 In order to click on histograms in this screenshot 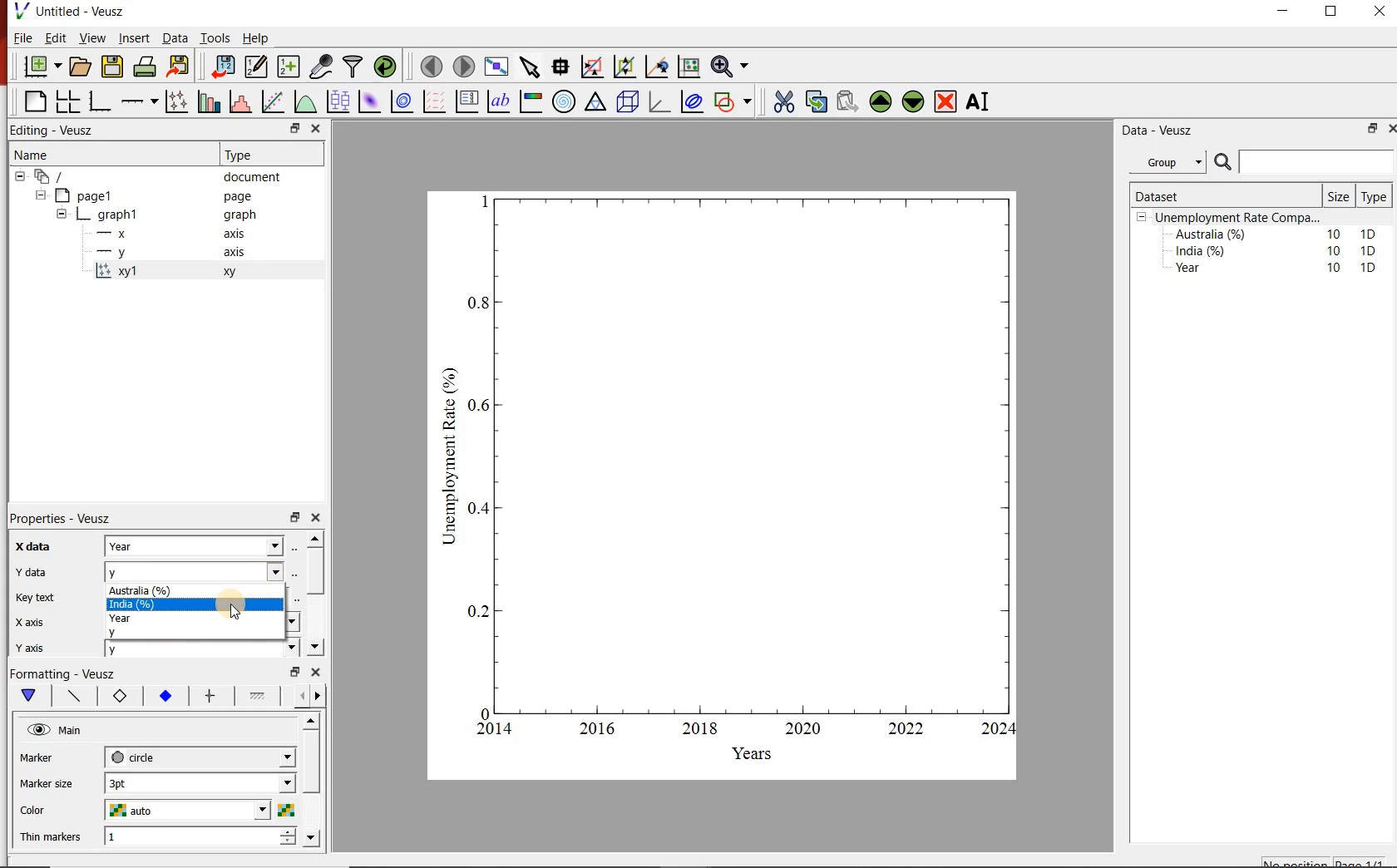, I will do `click(239, 101)`.